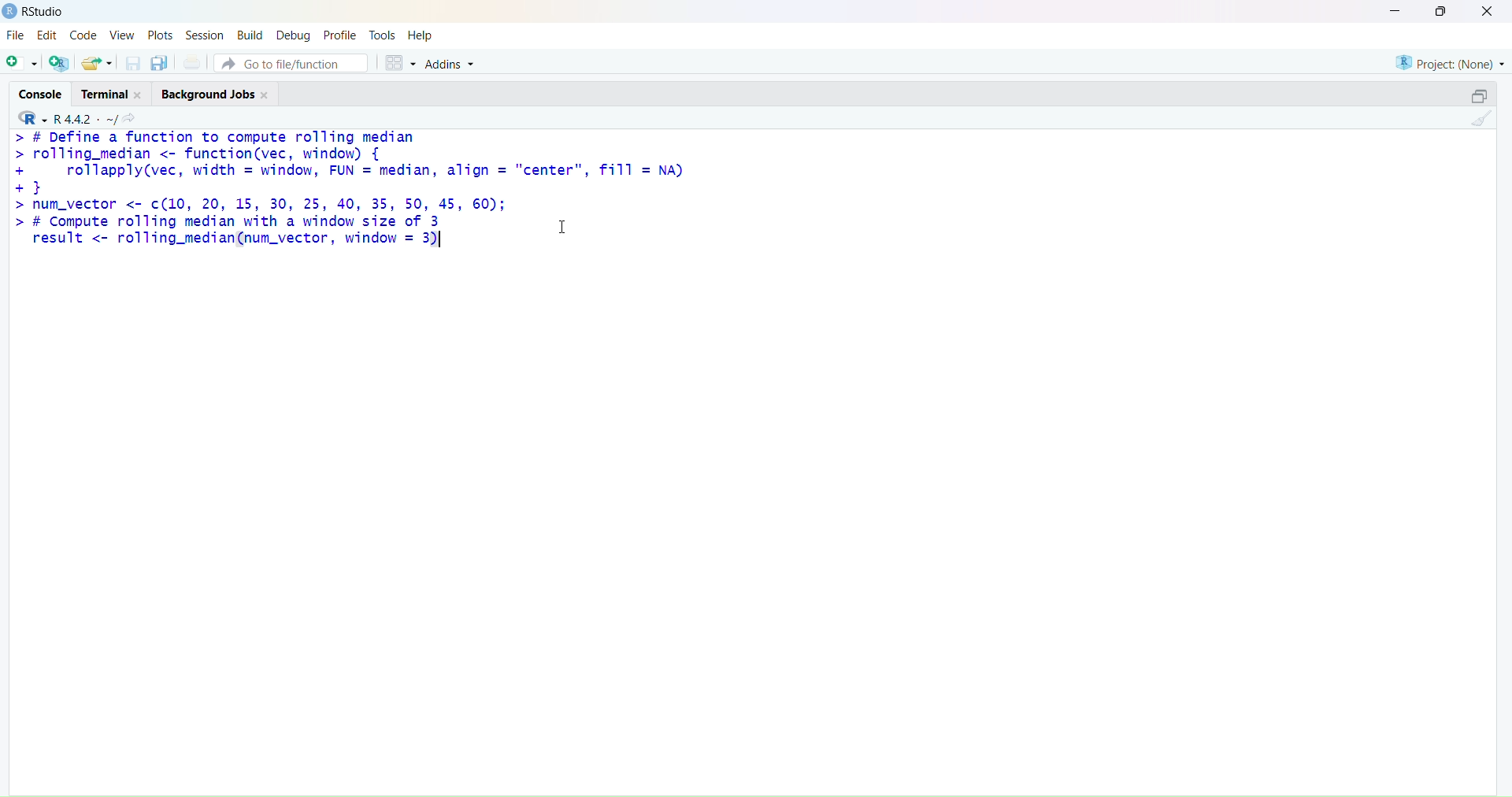  Describe the element at coordinates (265, 96) in the screenshot. I see `close` at that location.